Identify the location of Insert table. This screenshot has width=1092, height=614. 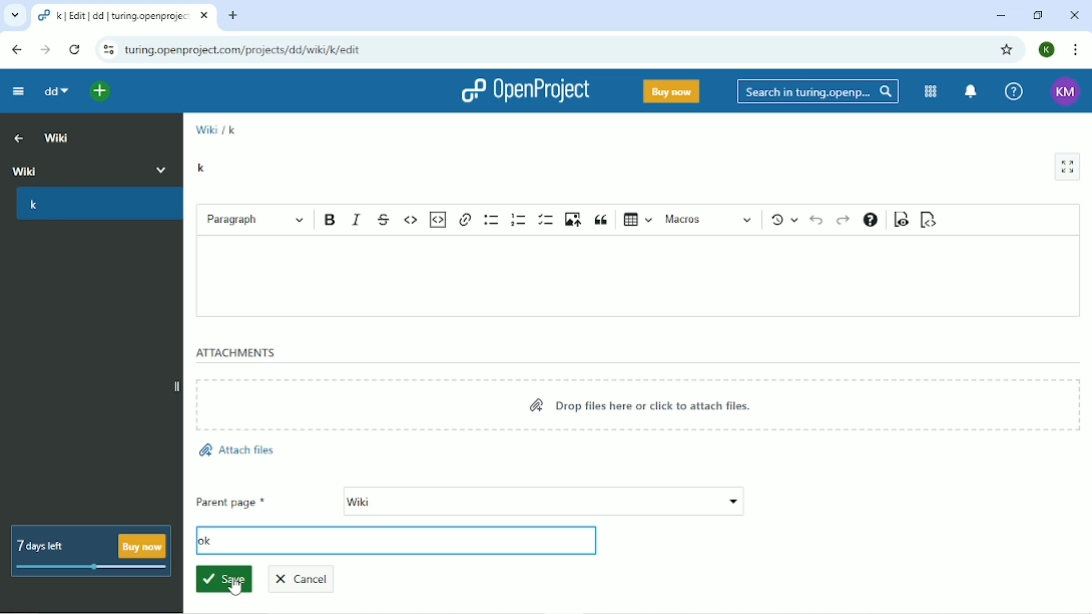
(639, 218).